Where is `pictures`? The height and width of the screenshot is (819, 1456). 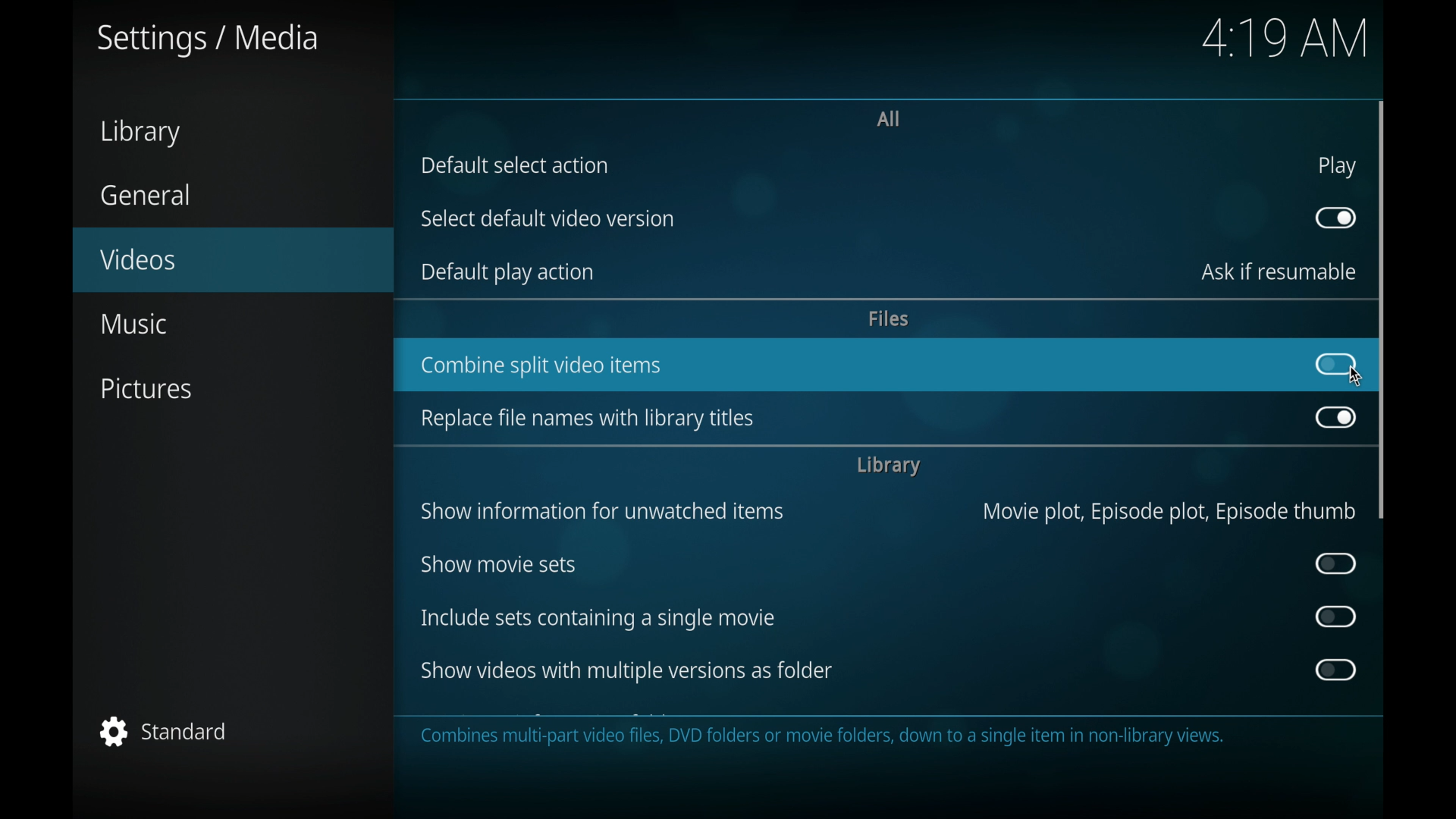
pictures is located at coordinates (145, 388).